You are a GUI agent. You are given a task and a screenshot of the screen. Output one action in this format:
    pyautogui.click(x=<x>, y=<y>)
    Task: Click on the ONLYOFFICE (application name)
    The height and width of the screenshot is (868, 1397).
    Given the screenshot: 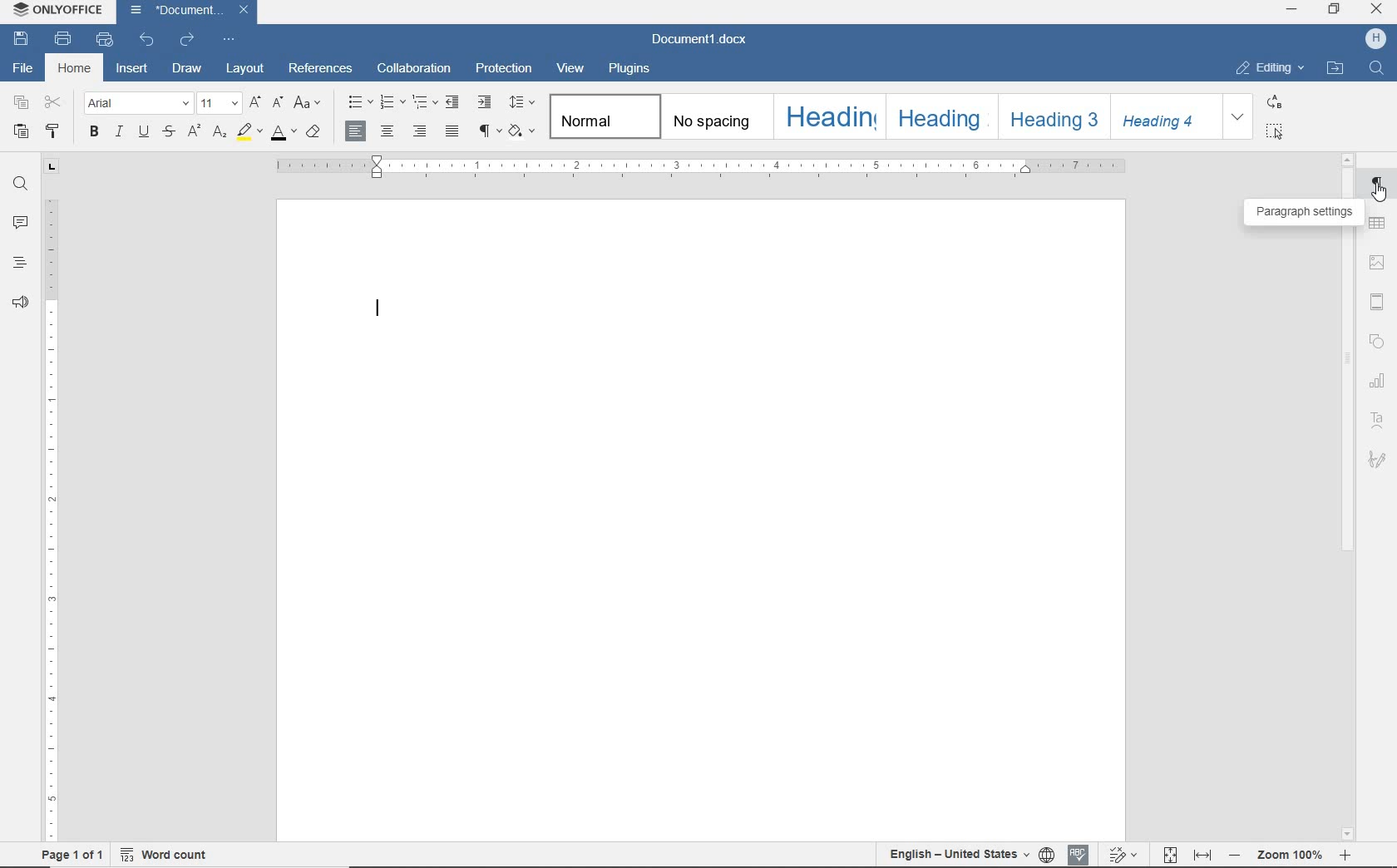 What is the action you would take?
    pyautogui.click(x=62, y=12)
    